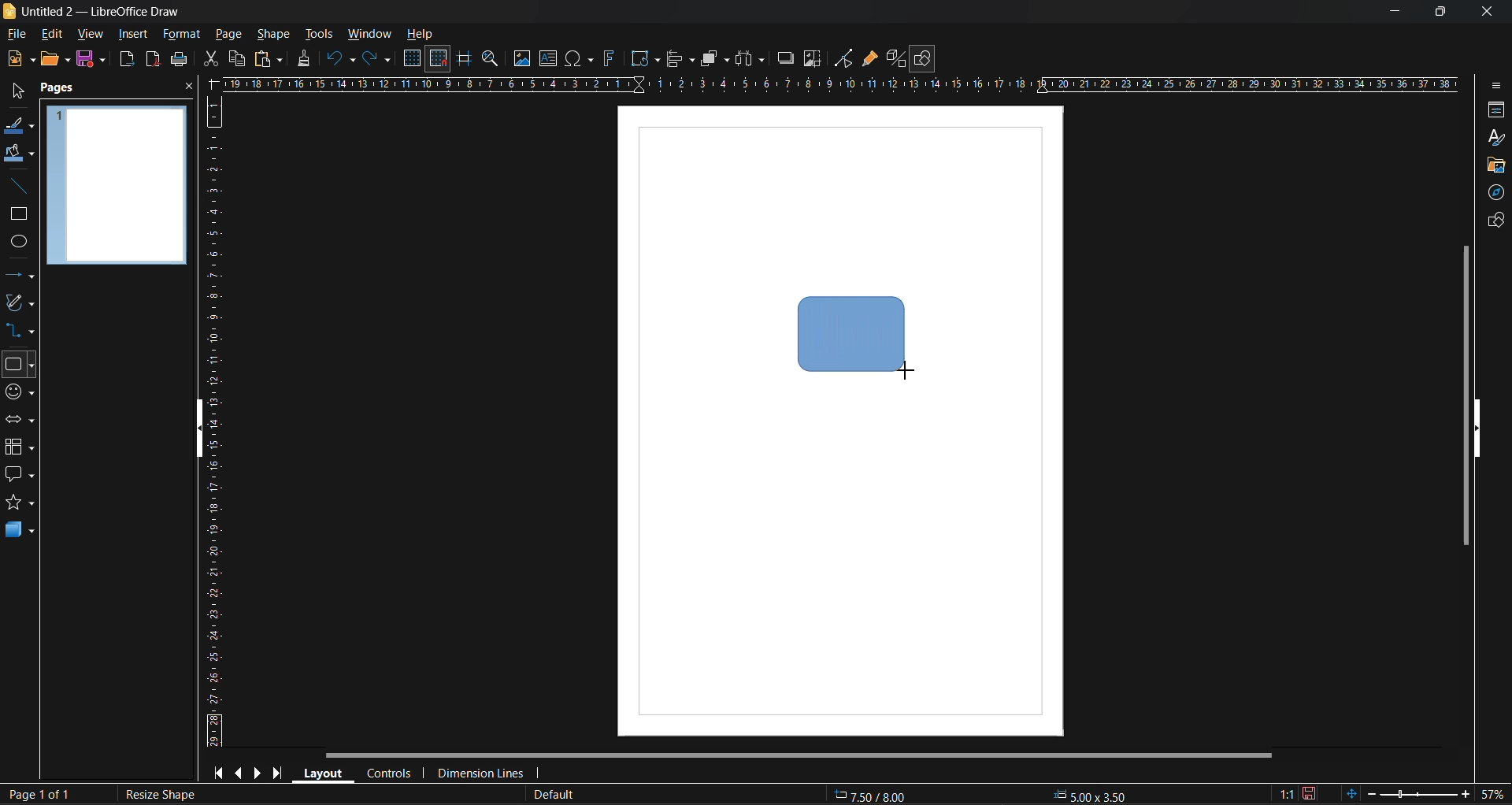 Image resolution: width=1512 pixels, height=805 pixels. Describe the element at coordinates (551, 58) in the screenshot. I see `text box` at that location.